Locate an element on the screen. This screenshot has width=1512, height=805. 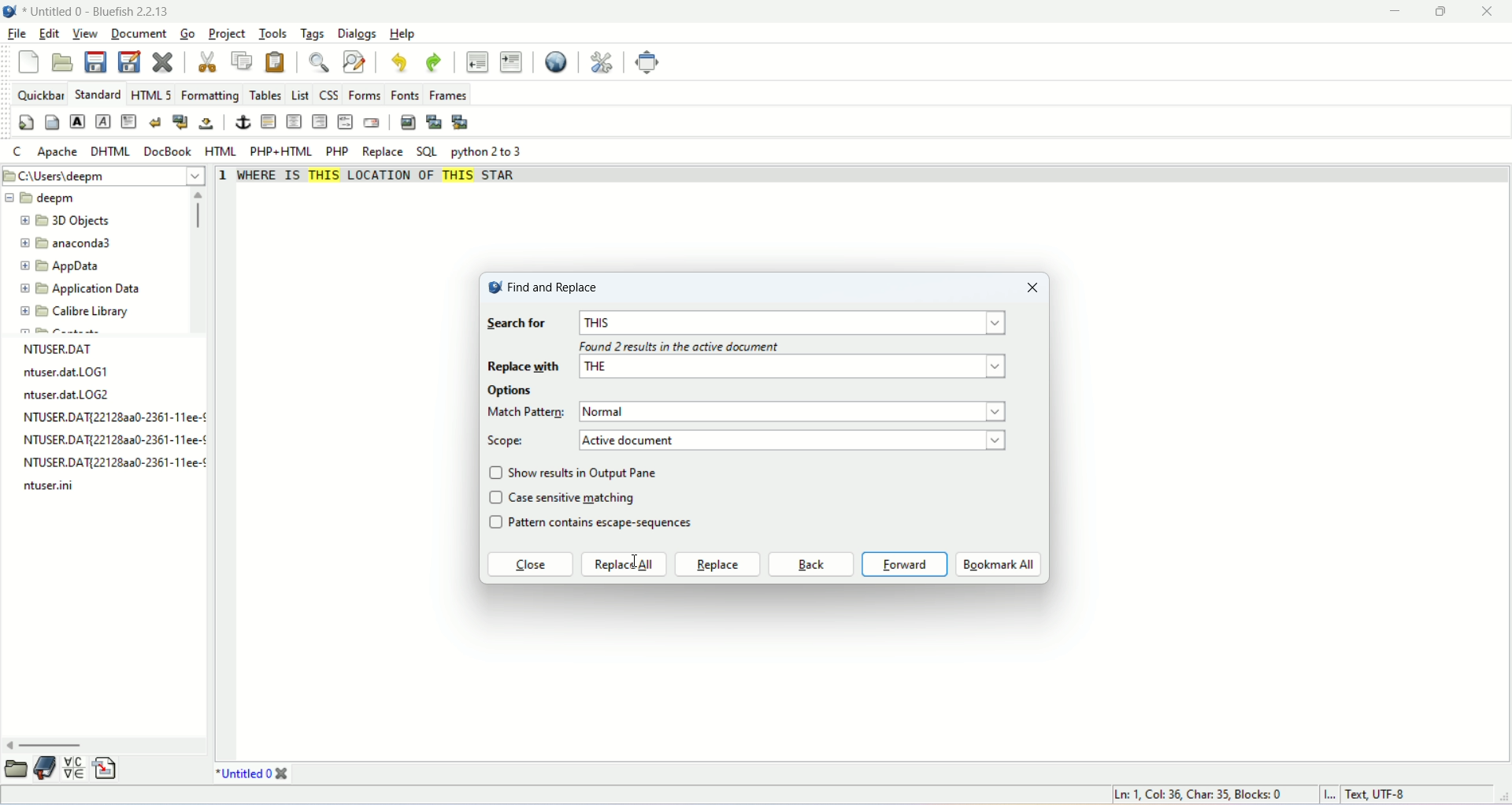
paragraph is located at coordinates (130, 121).